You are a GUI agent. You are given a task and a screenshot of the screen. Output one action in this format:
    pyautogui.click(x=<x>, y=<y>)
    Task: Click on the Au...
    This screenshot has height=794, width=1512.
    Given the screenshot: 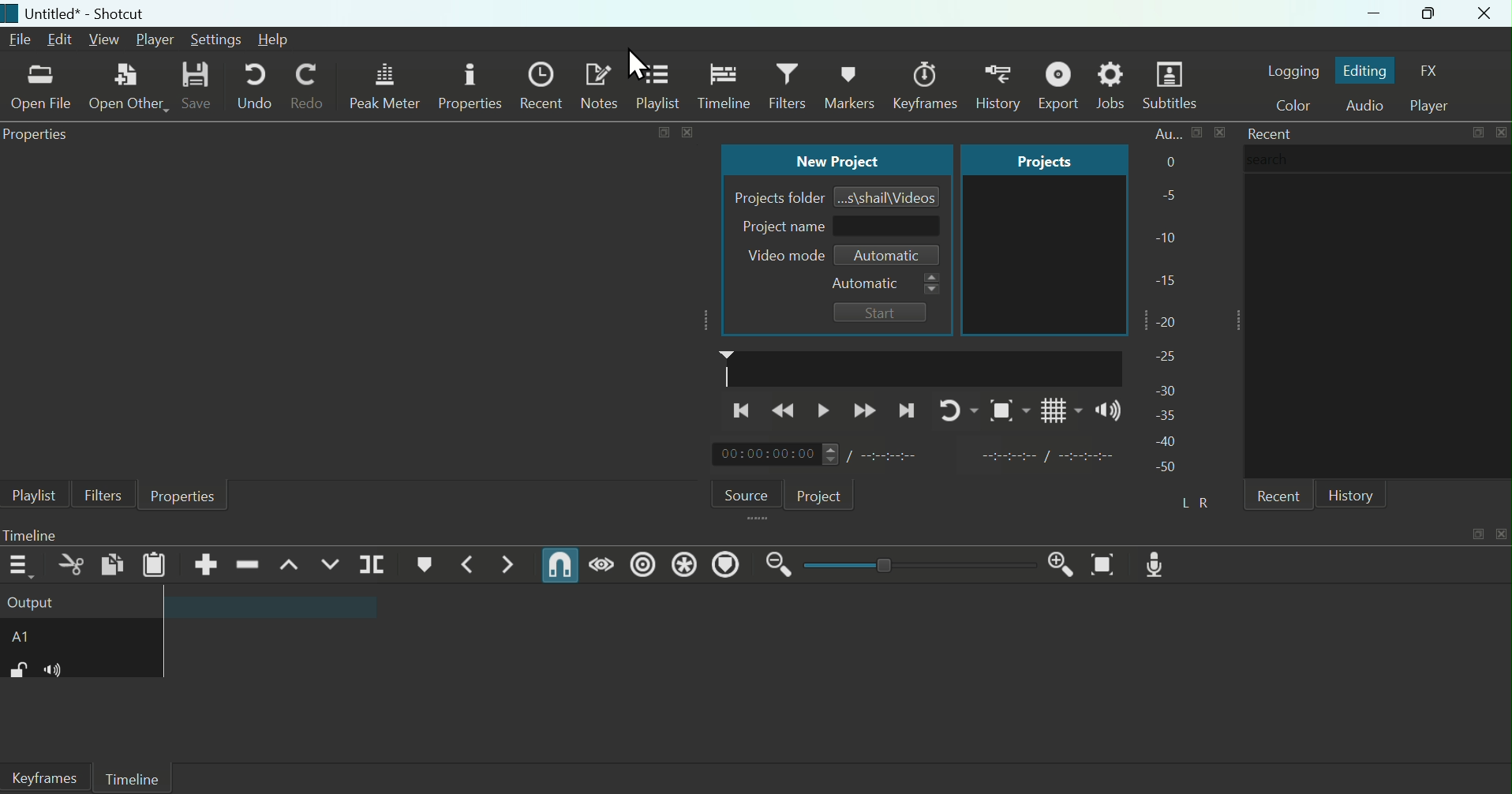 What is the action you would take?
    pyautogui.click(x=1162, y=133)
    